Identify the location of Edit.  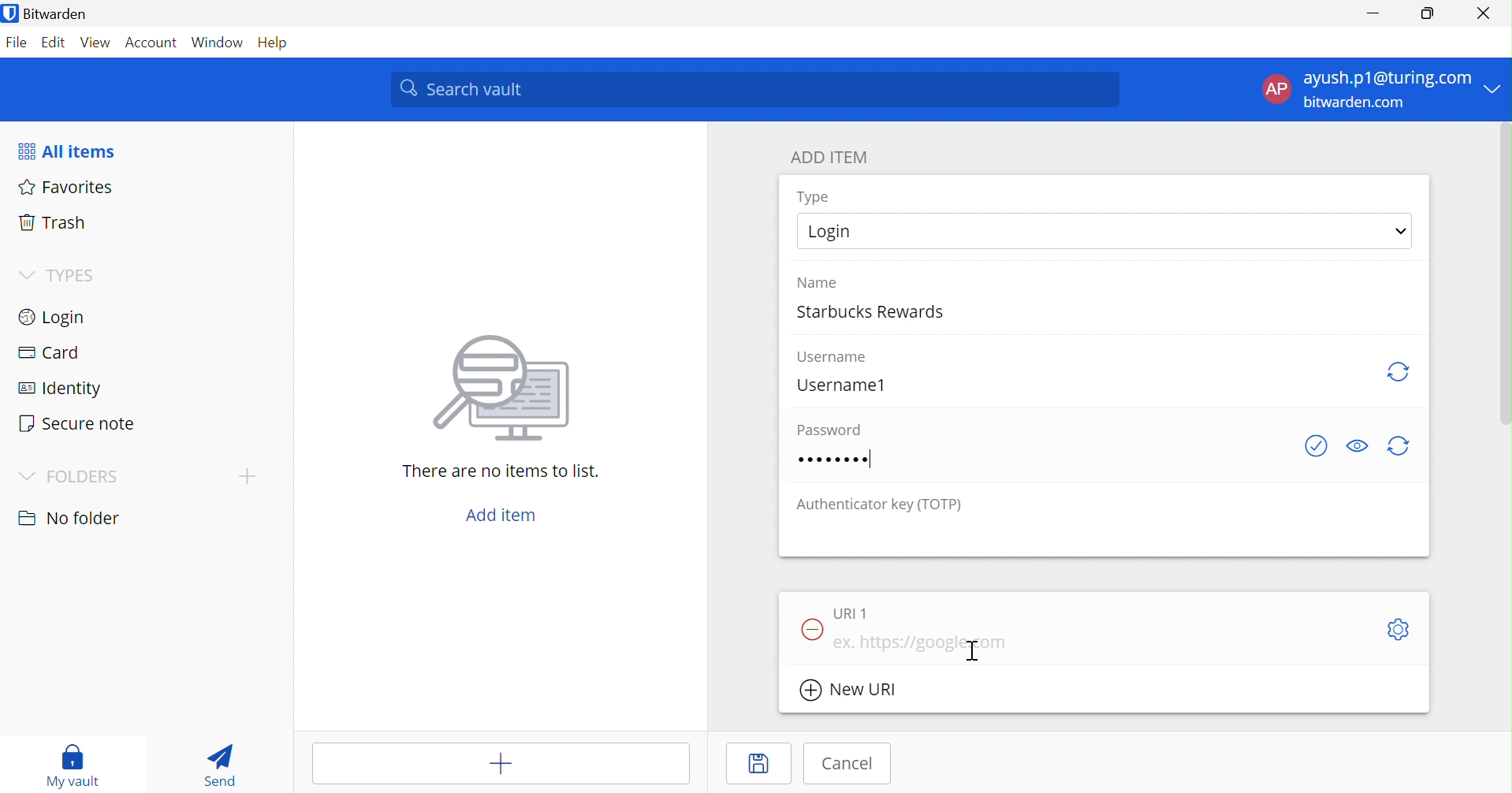
(55, 44).